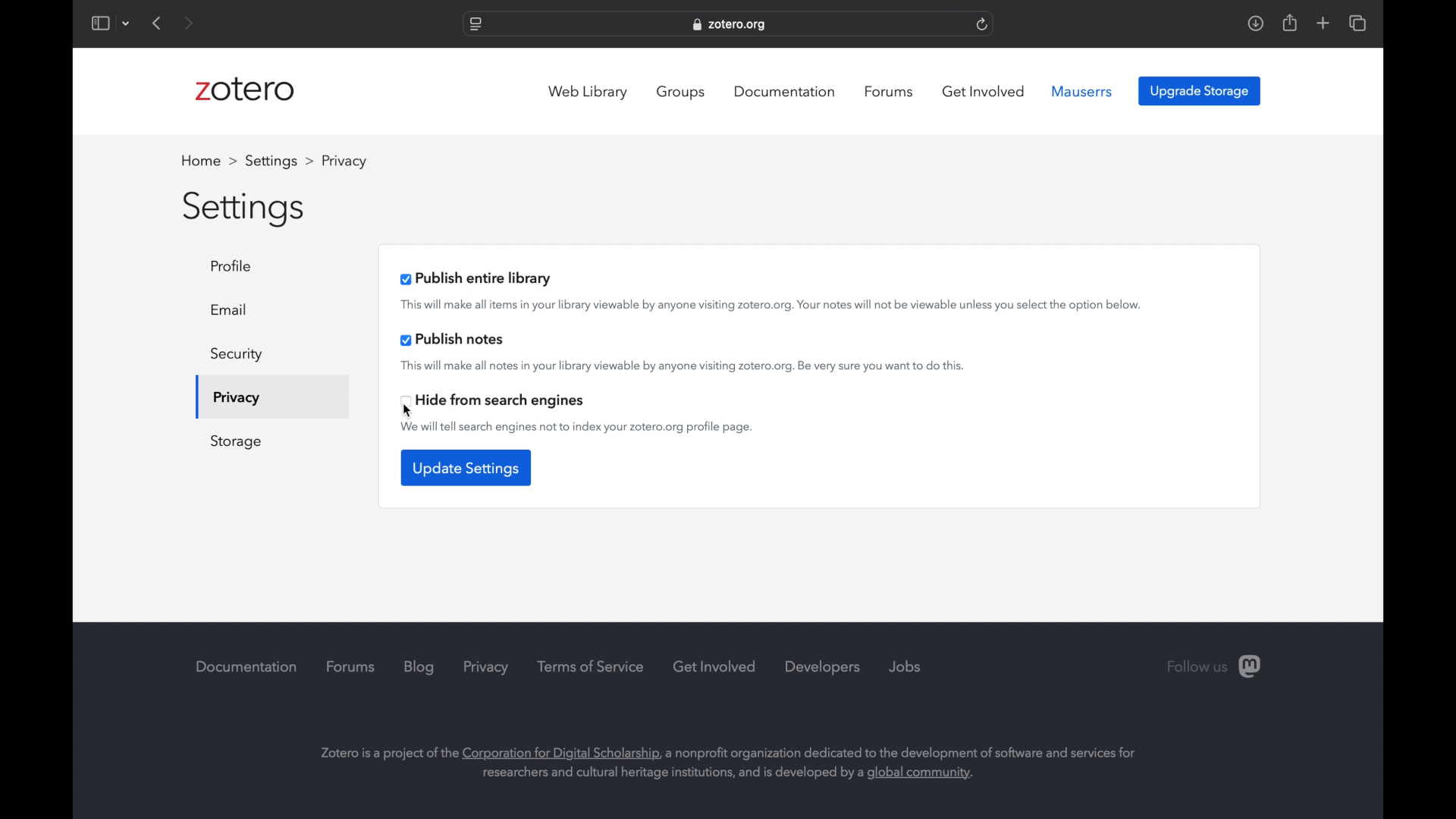 The height and width of the screenshot is (819, 1456). What do you see at coordinates (209, 161) in the screenshot?
I see `home` at bounding box center [209, 161].